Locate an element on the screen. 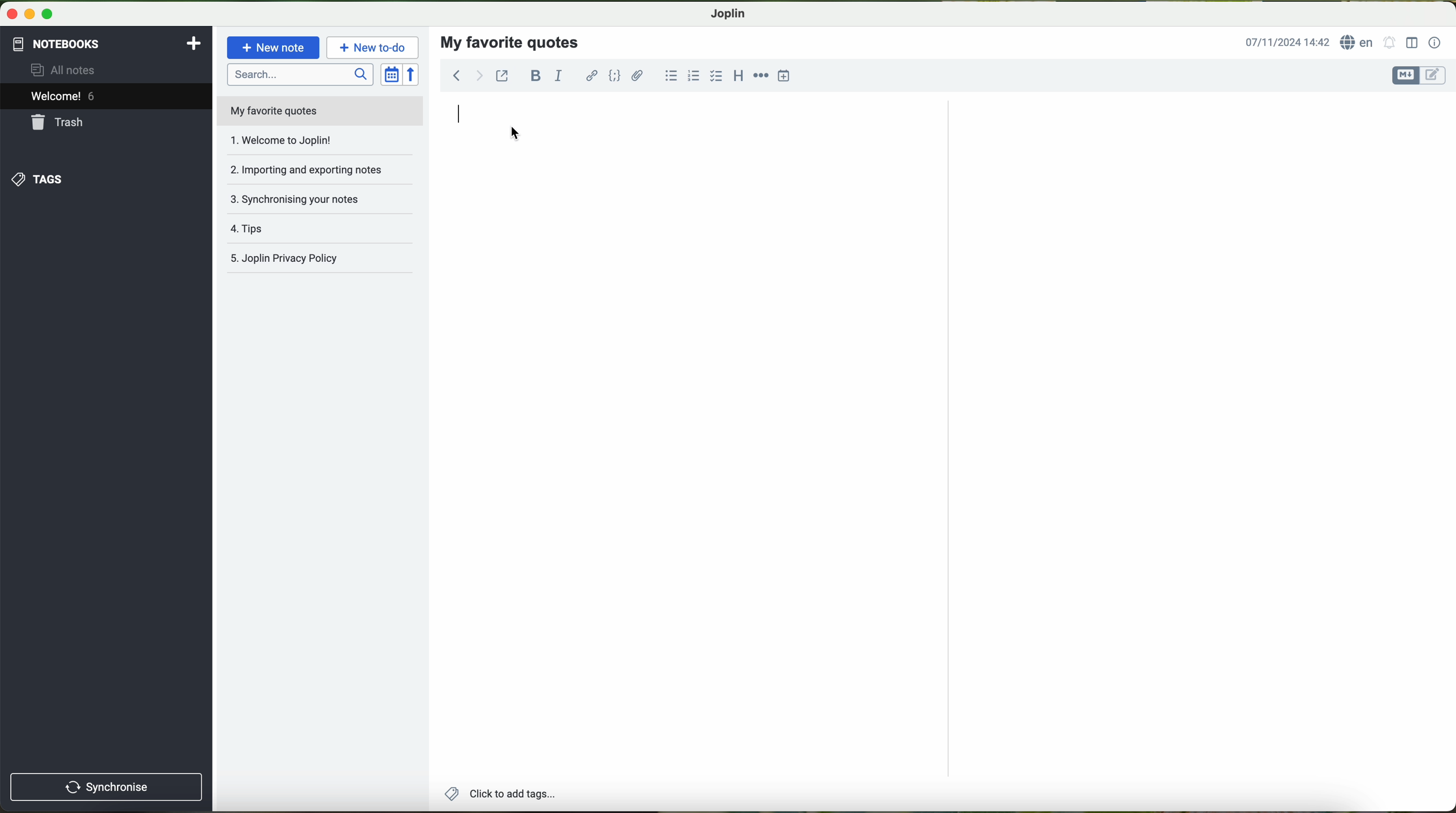 The image size is (1456, 813). toggle editor layout is located at coordinates (1411, 43).